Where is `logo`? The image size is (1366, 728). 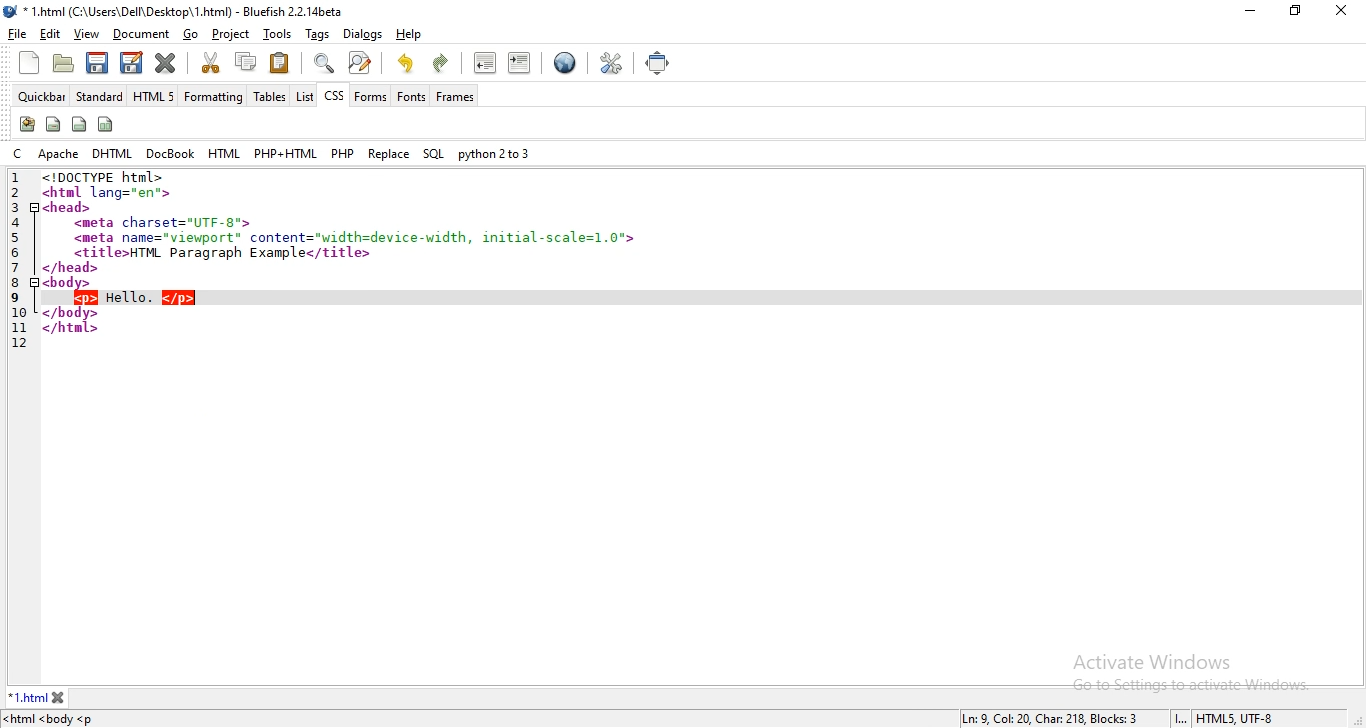
logo is located at coordinates (12, 11).